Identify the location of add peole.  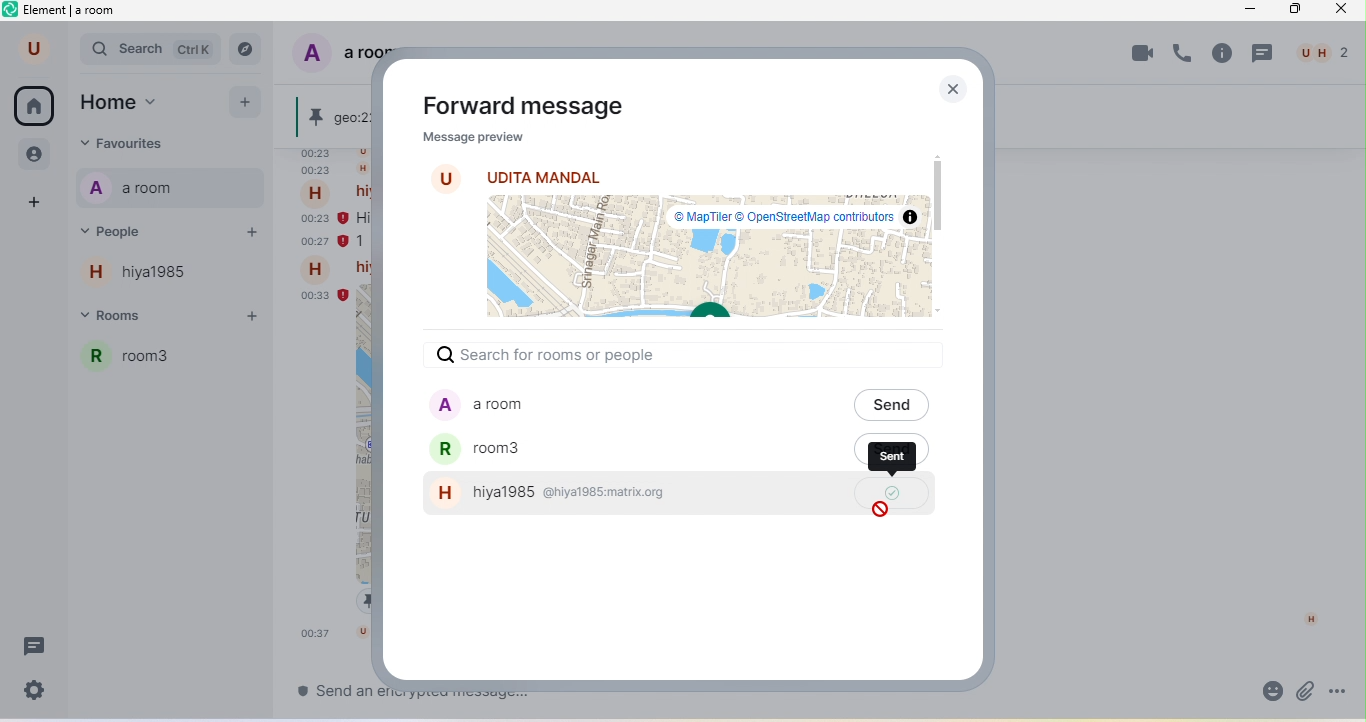
(250, 236).